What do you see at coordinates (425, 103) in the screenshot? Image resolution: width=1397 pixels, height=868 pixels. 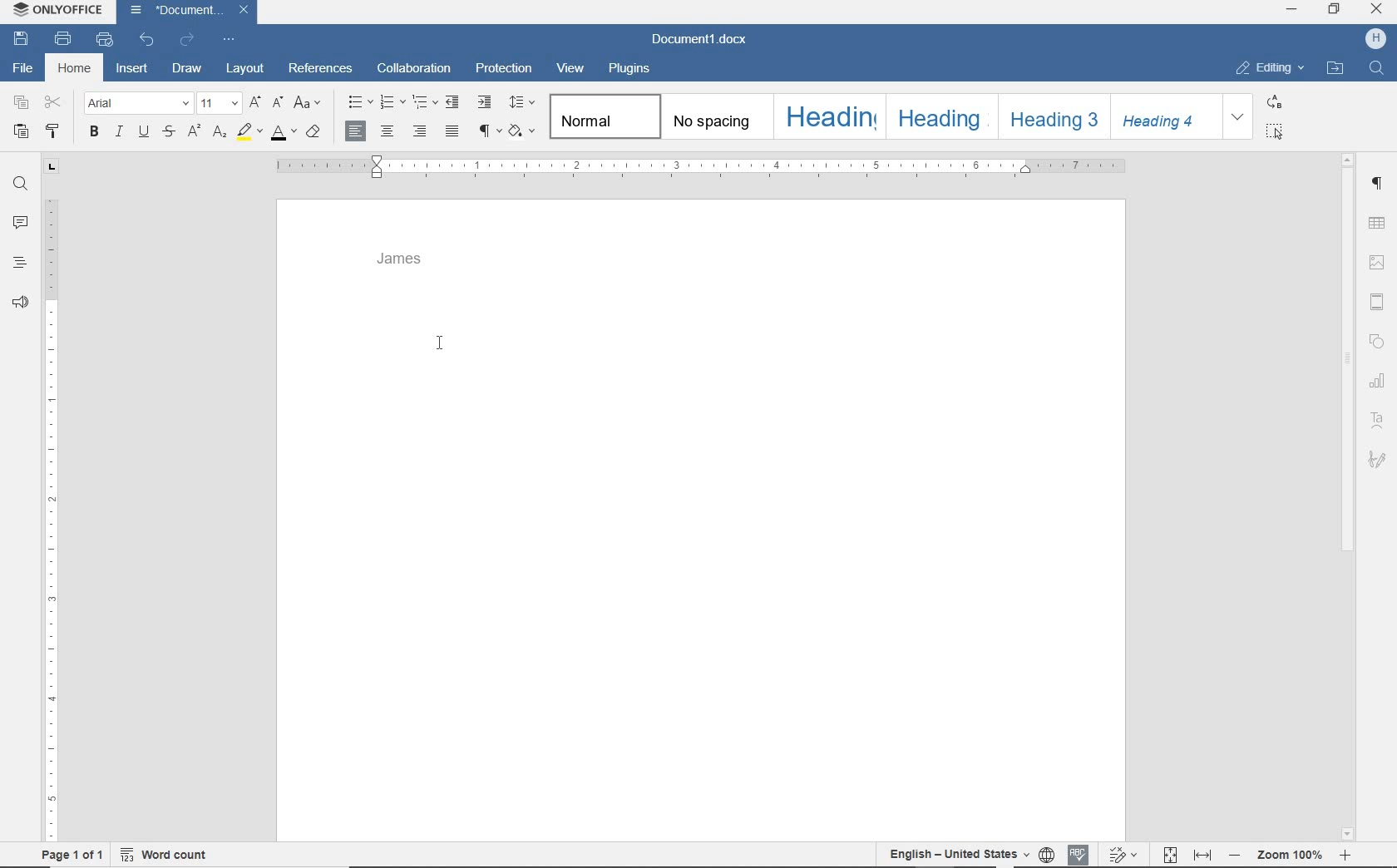 I see `multilevel list` at bounding box center [425, 103].